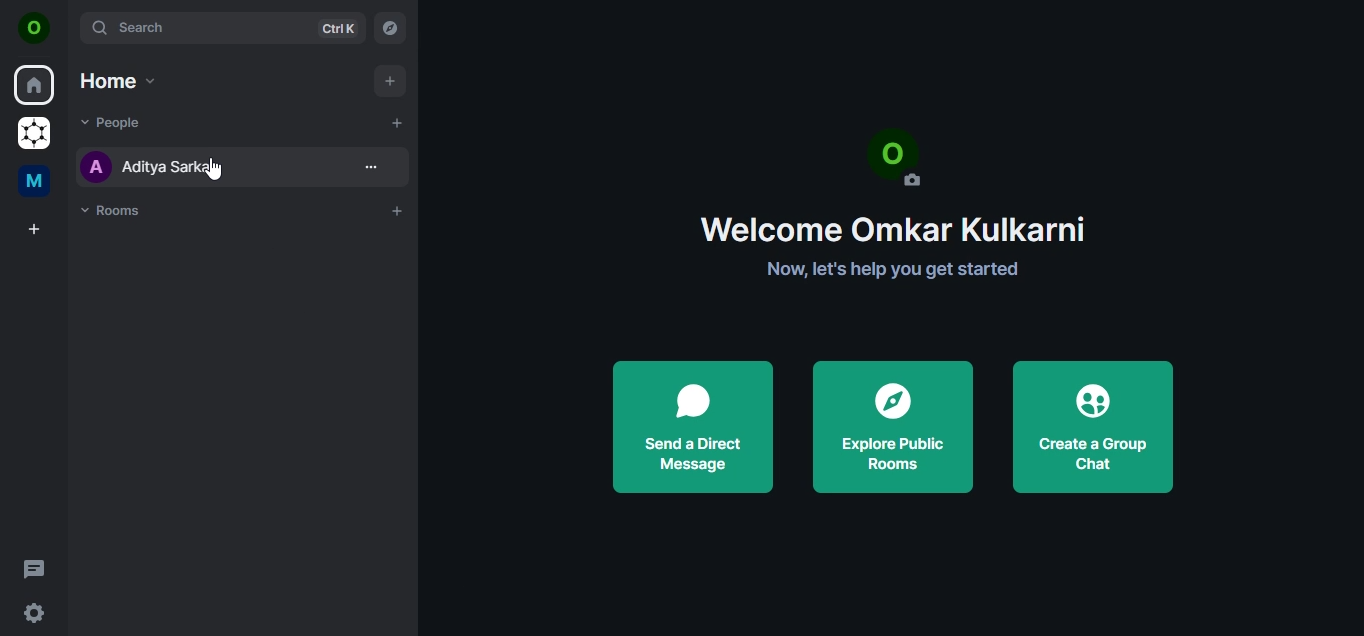 This screenshot has width=1364, height=636. Describe the element at coordinates (890, 421) in the screenshot. I see `explore public rooms` at that location.